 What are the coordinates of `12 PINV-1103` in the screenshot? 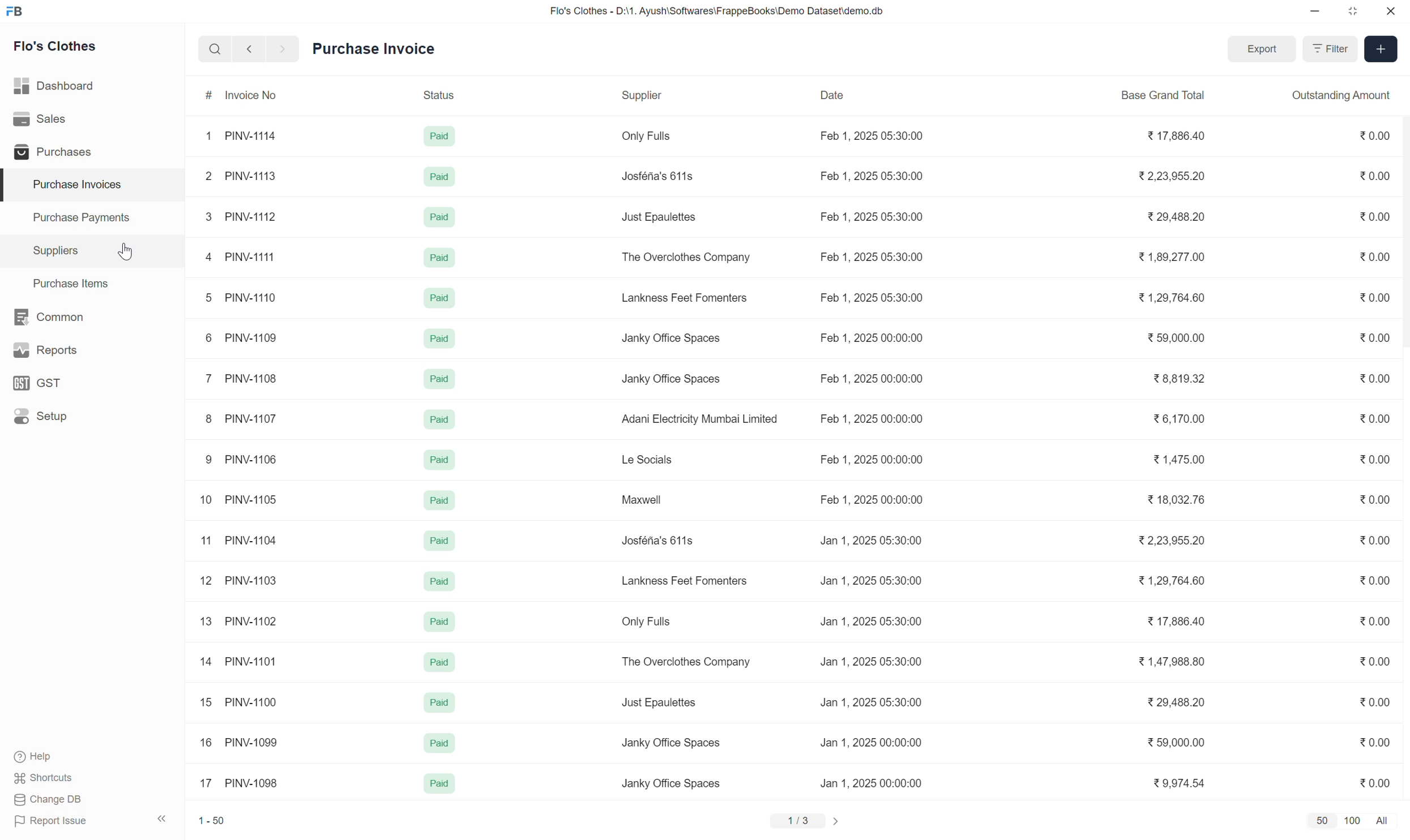 It's located at (239, 580).